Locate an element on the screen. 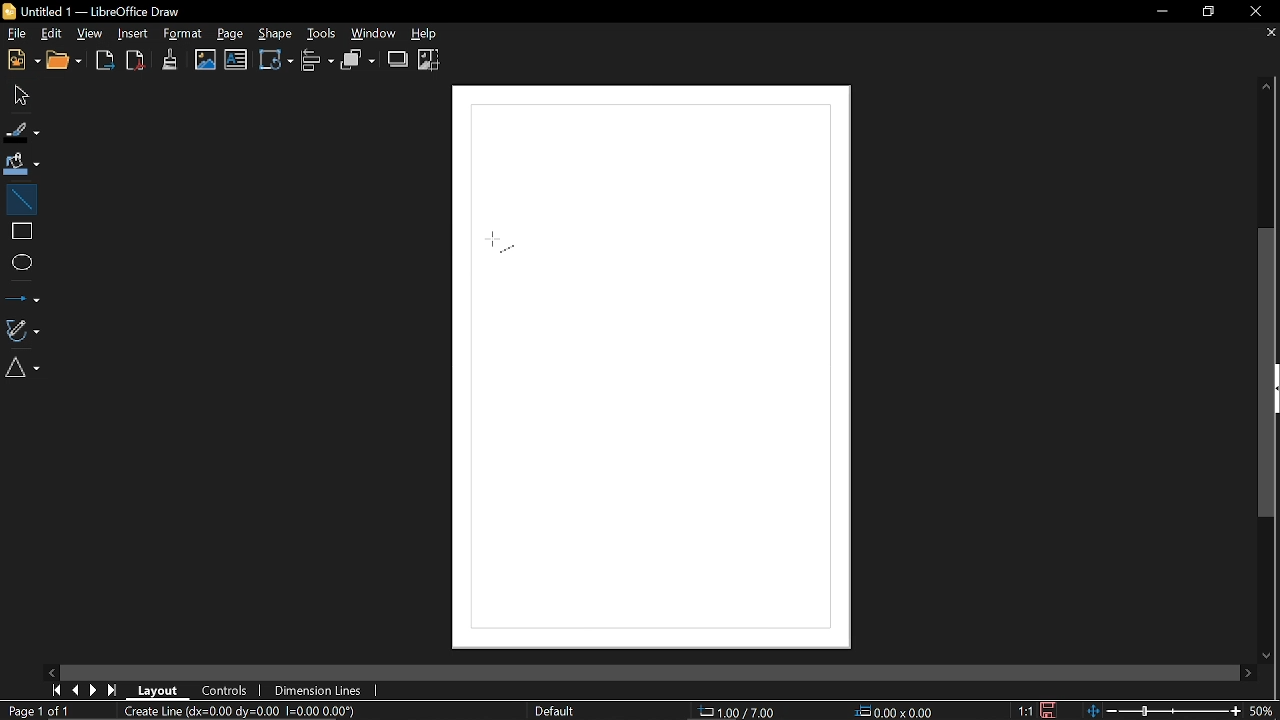 The height and width of the screenshot is (720, 1280). Select is located at coordinates (19, 96).